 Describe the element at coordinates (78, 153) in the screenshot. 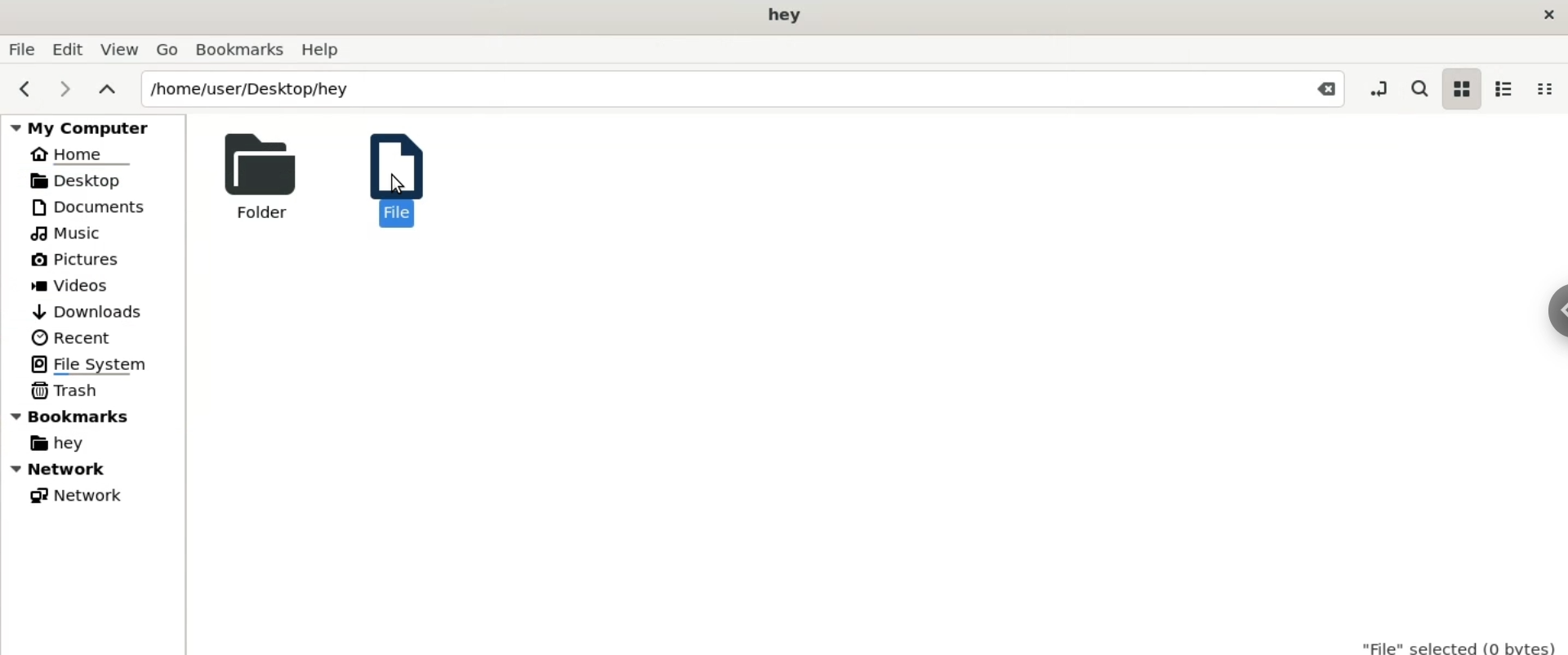

I see `home` at that location.